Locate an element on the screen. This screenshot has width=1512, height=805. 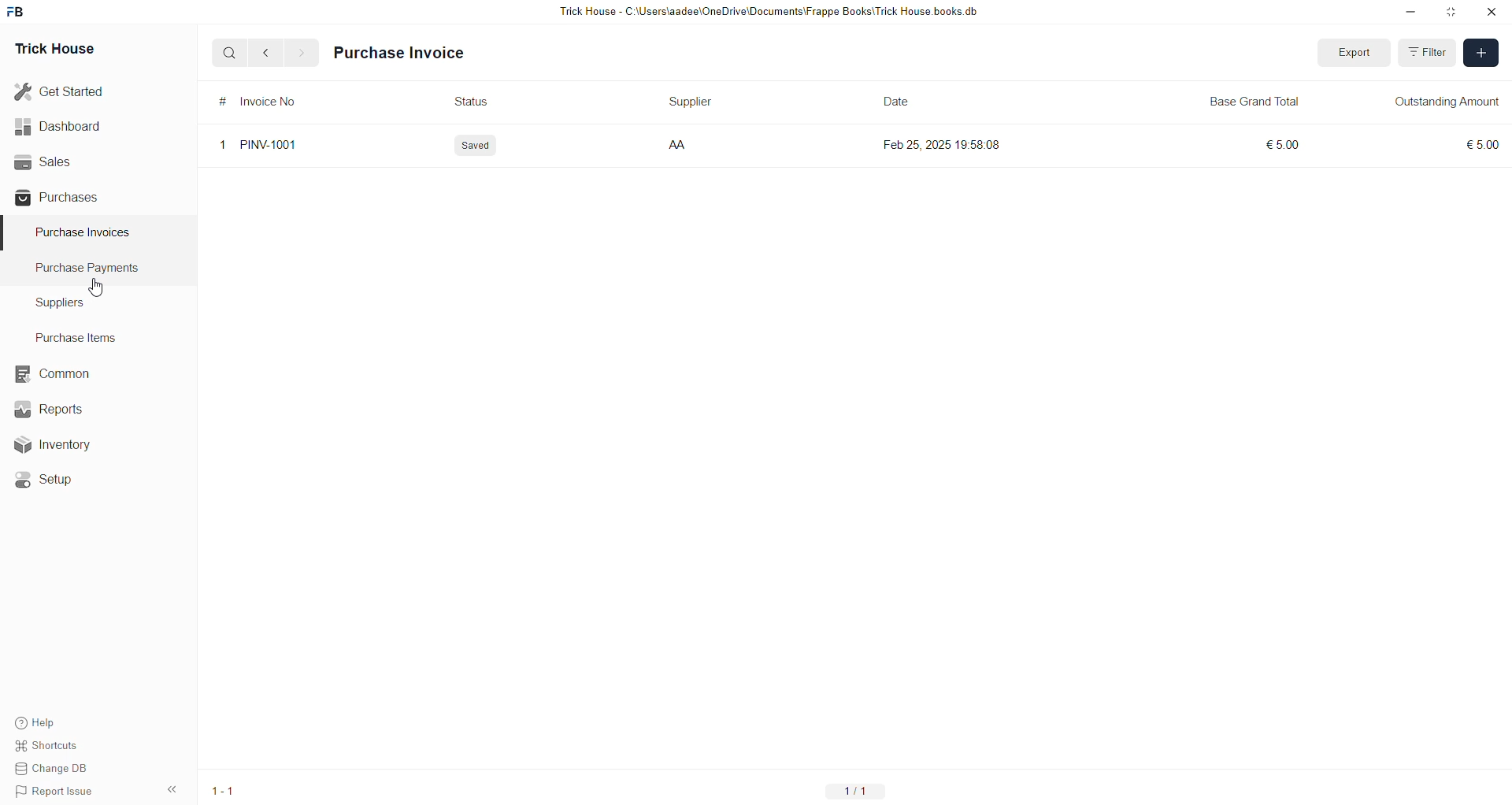
Maximize is located at coordinates (1452, 15).